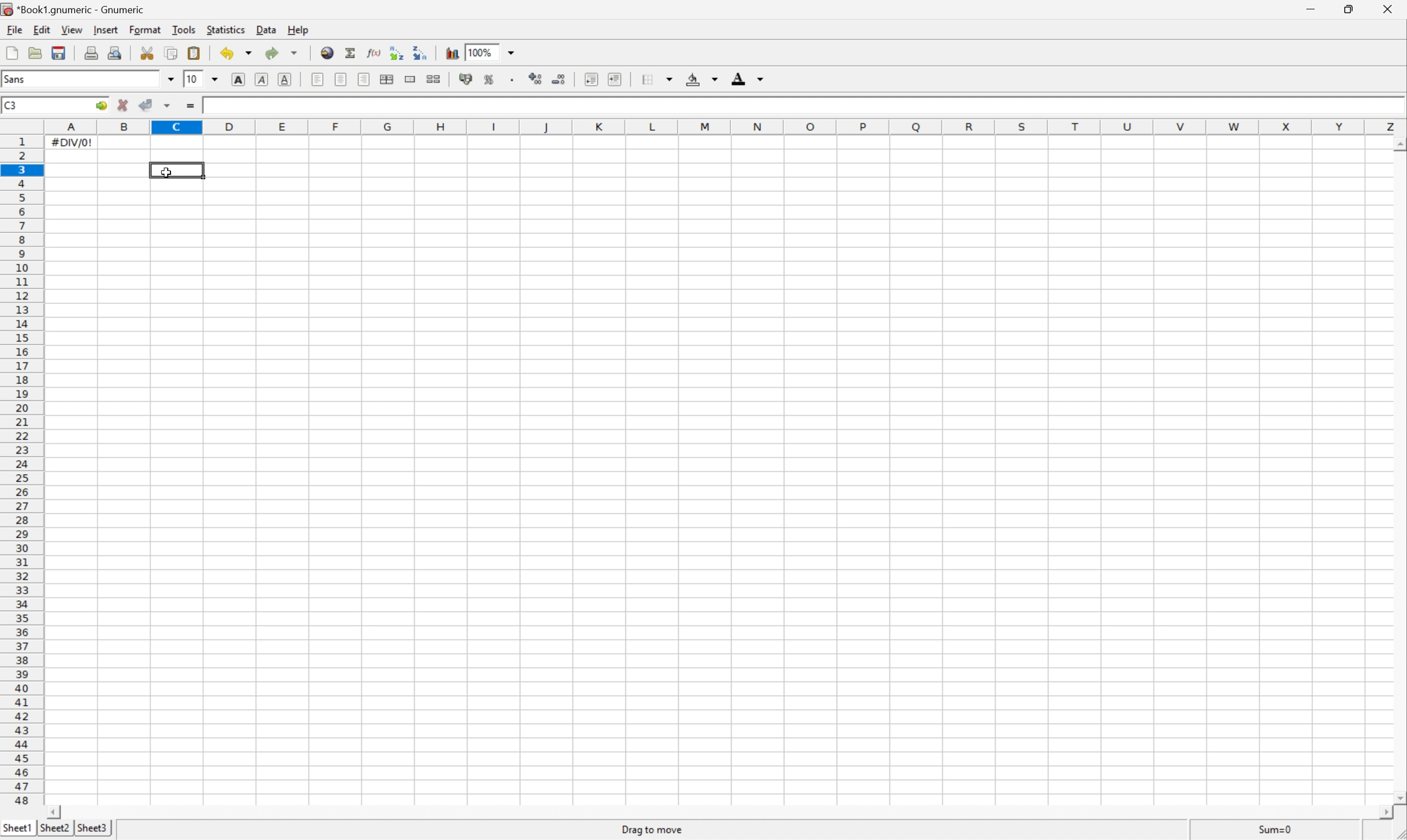 Image resolution: width=1407 pixels, height=840 pixels. Describe the element at coordinates (251, 53) in the screenshot. I see `Drop down` at that location.